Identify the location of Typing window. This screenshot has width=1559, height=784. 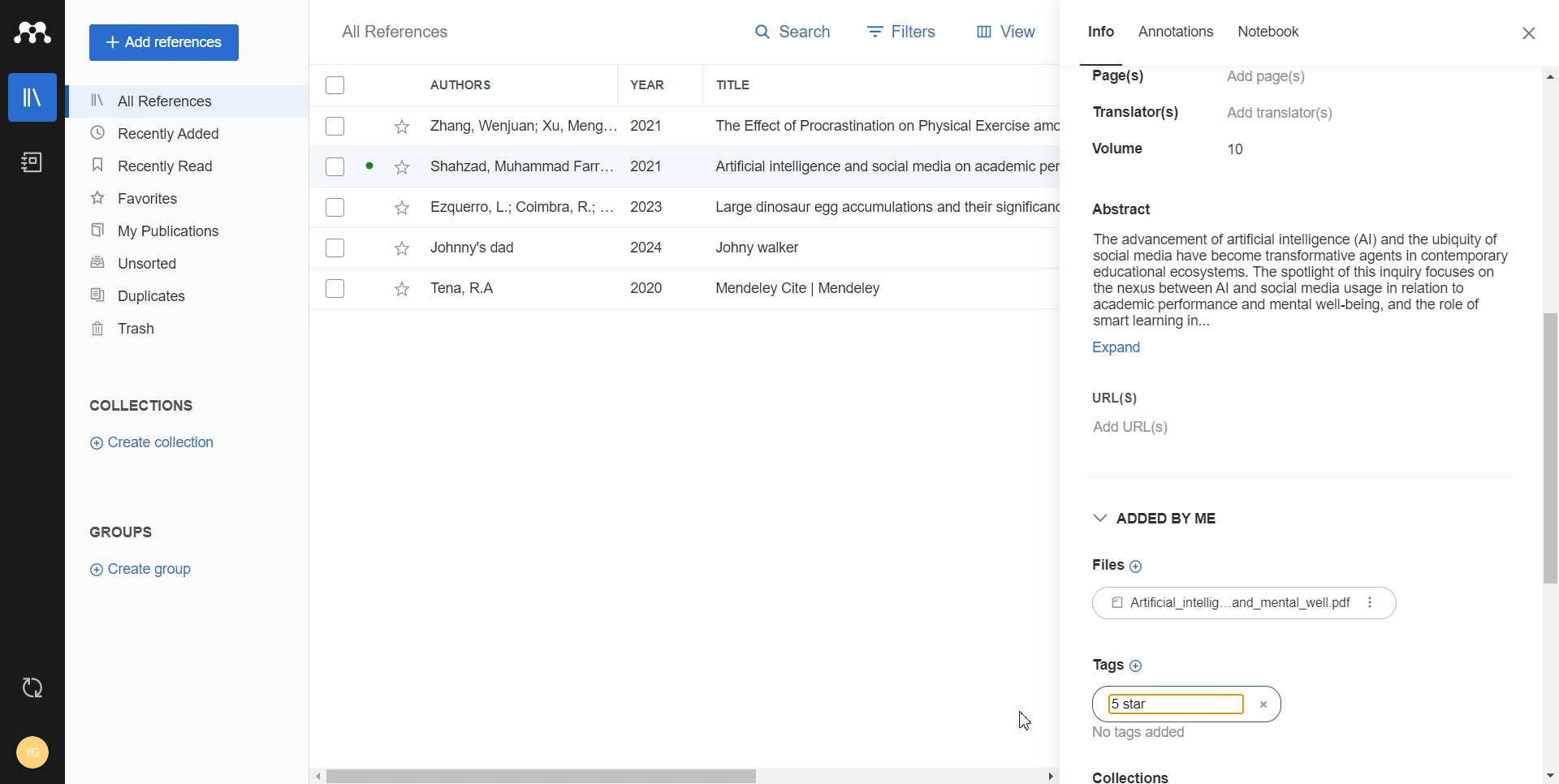
(1164, 713).